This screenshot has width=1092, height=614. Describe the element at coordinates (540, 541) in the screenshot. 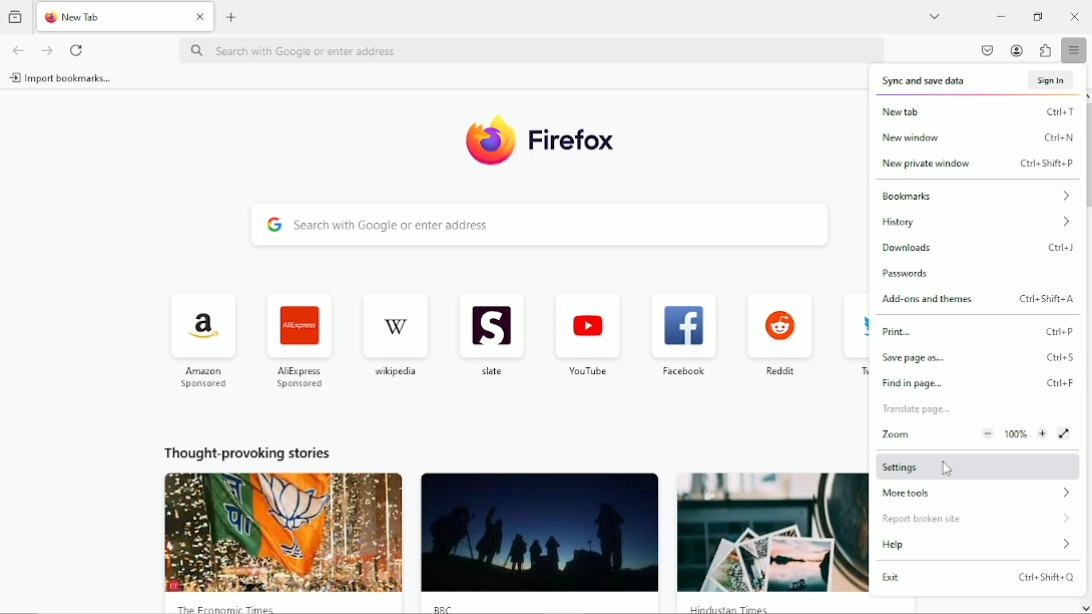

I see `news` at that location.